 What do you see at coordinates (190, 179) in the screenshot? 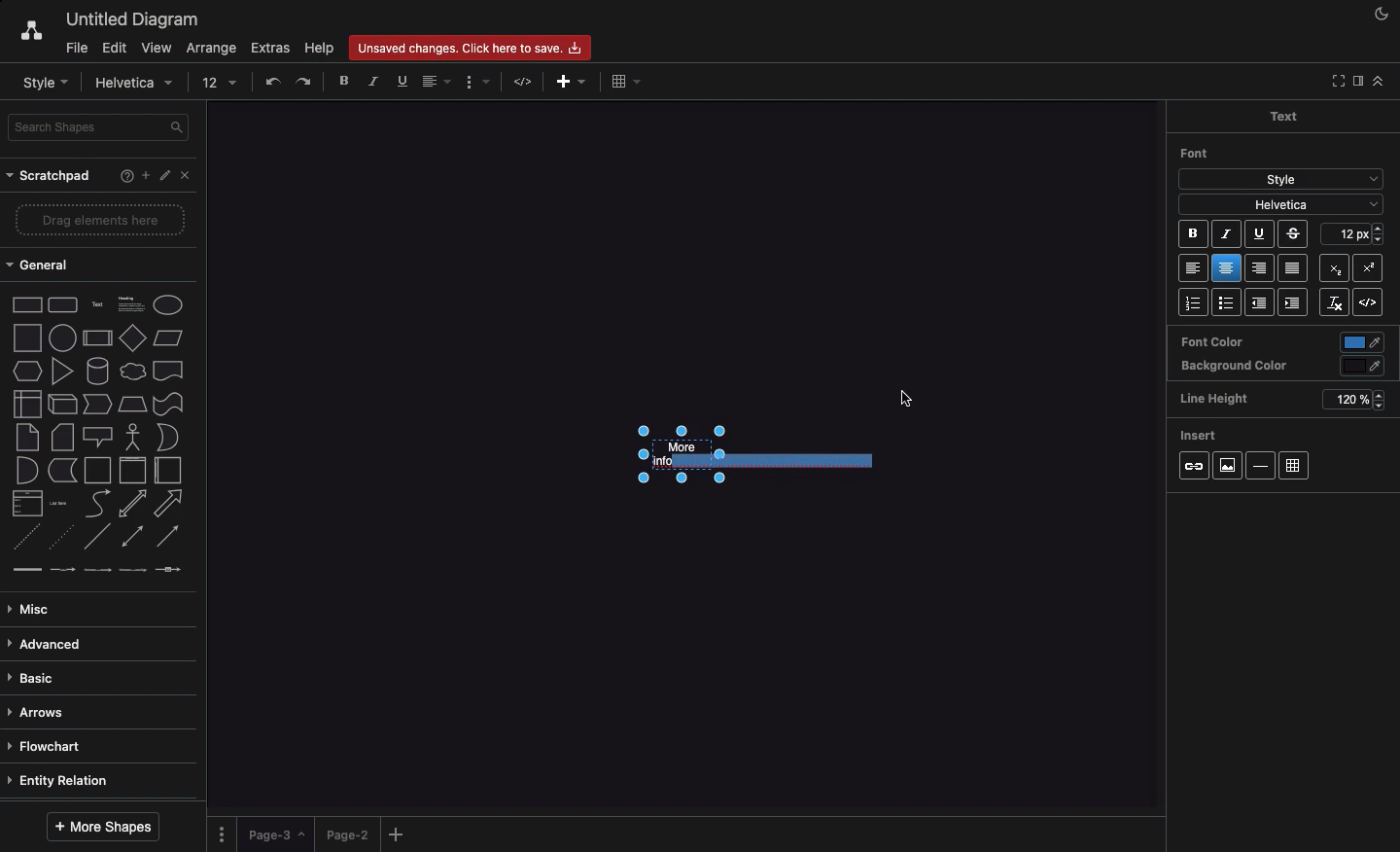
I see `Close` at bounding box center [190, 179].